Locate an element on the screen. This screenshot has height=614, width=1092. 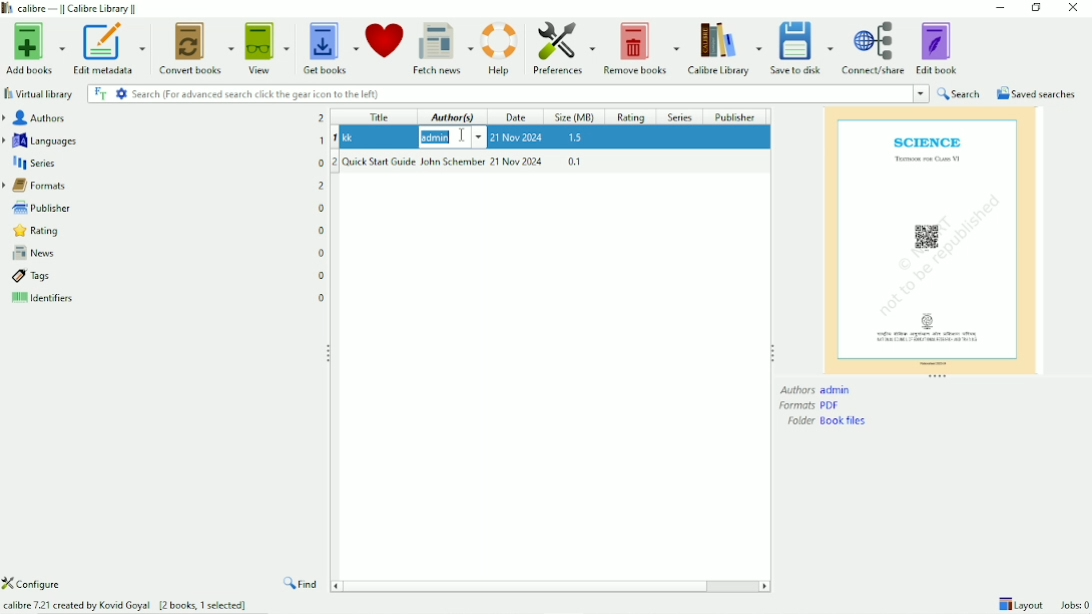
Resize is located at coordinates (774, 353).